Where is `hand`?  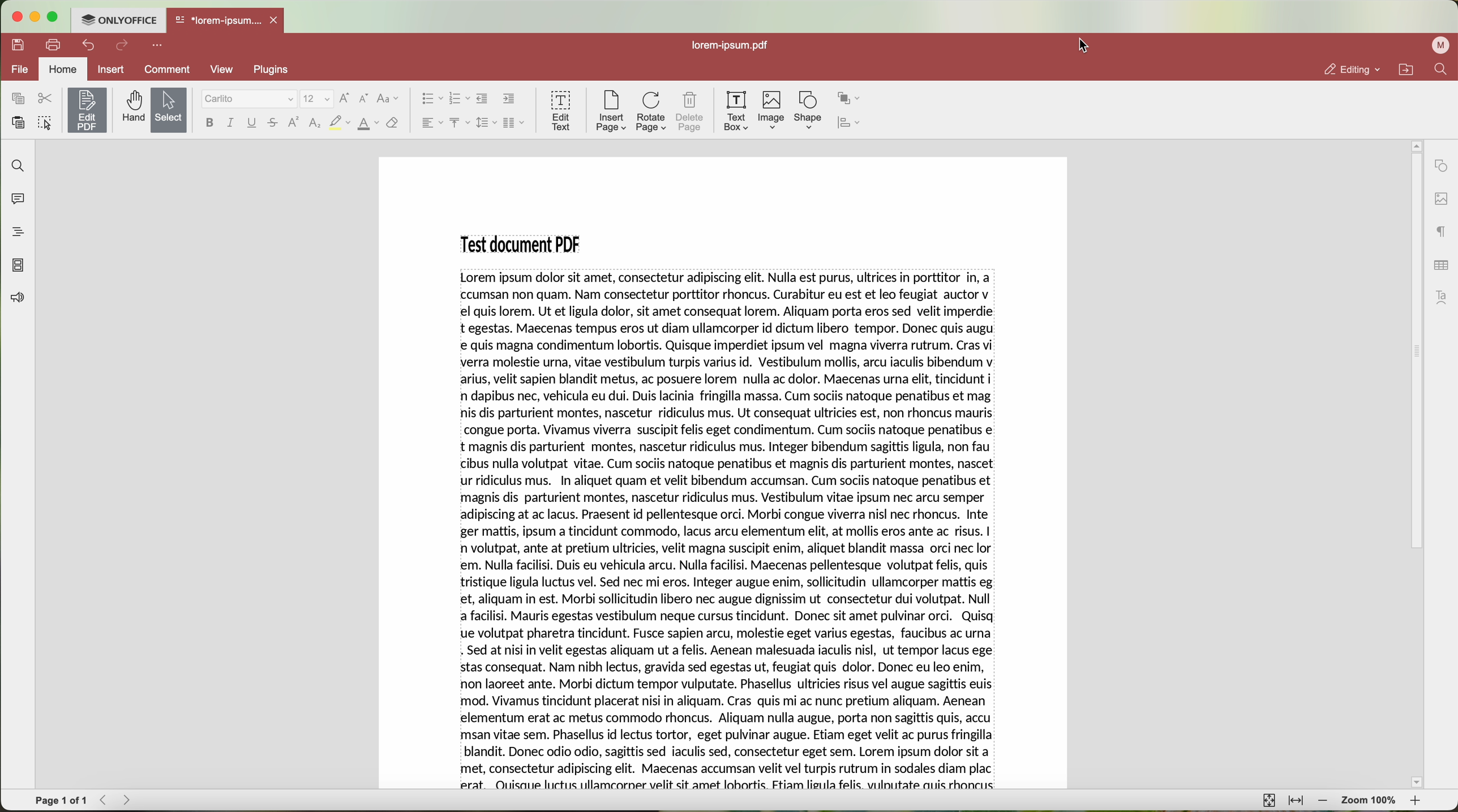 hand is located at coordinates (131, 108).